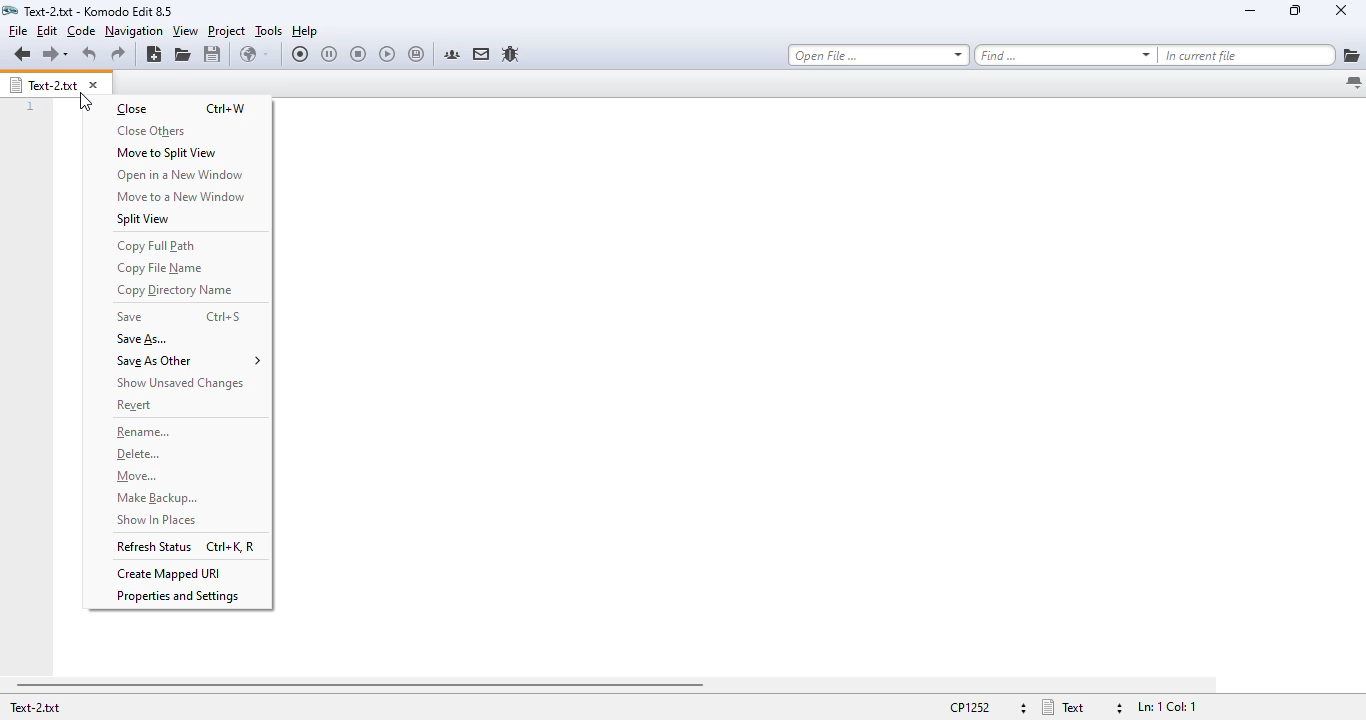 Image resolution: width=1366 pixels, height=720 pixels. I want to click on tools, so click(268, 31).